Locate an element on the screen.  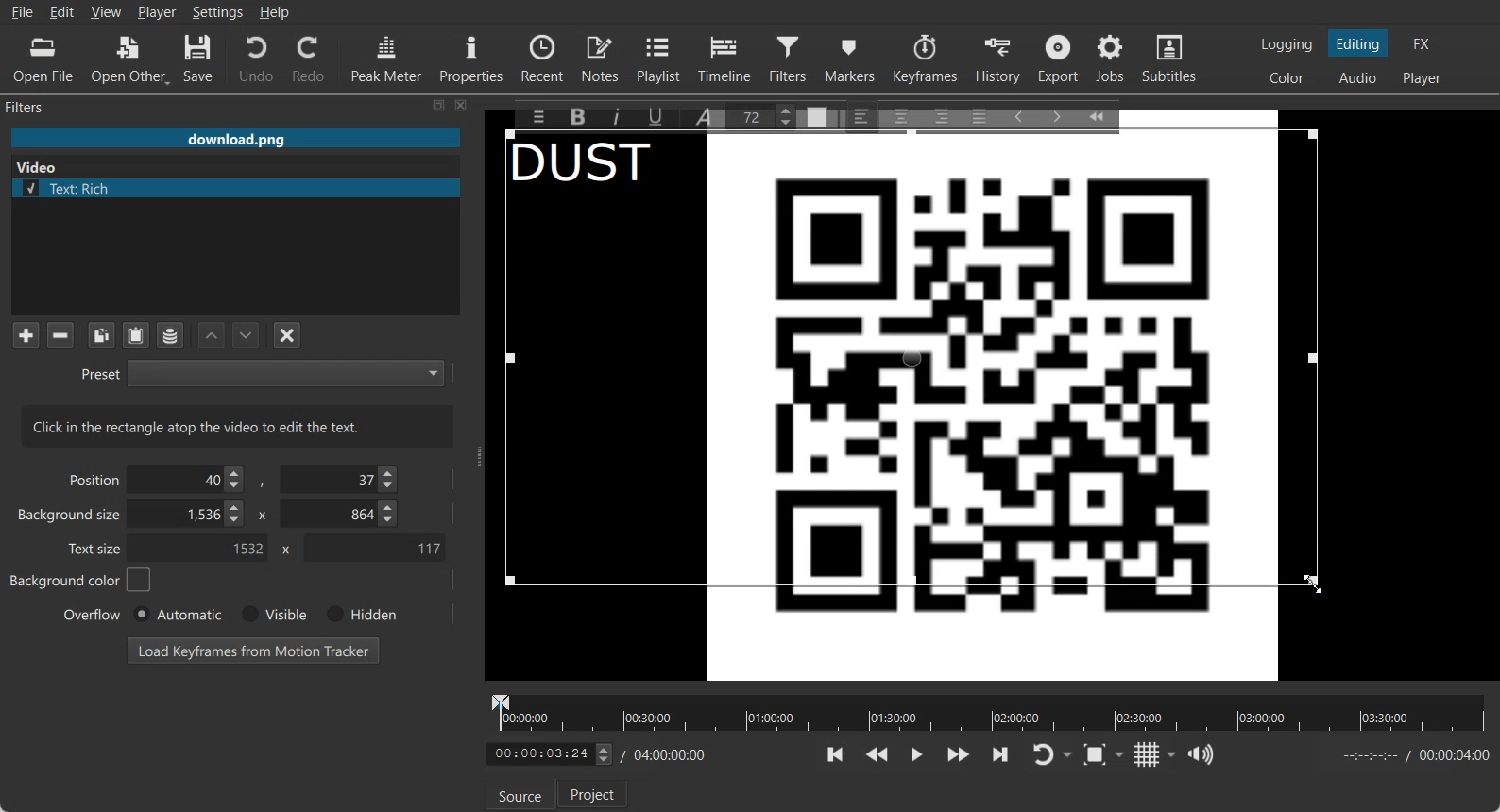
End time  is located at coordinates (1411, 755).